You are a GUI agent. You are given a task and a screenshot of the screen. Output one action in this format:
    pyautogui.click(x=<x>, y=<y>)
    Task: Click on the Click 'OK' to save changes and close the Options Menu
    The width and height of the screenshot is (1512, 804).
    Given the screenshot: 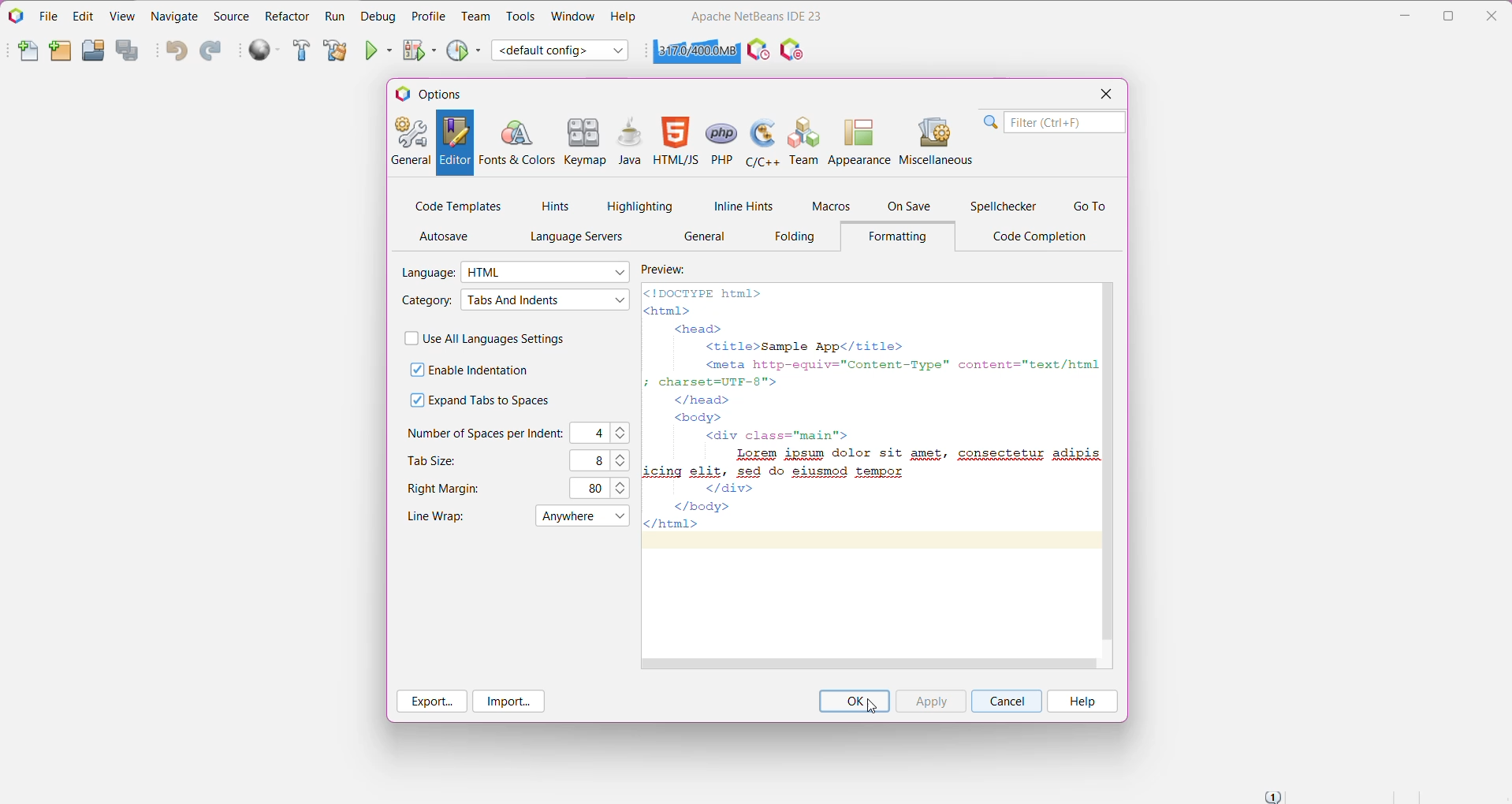 What is the action you would take?
    pyautogui.click(x=854, y=701)
    